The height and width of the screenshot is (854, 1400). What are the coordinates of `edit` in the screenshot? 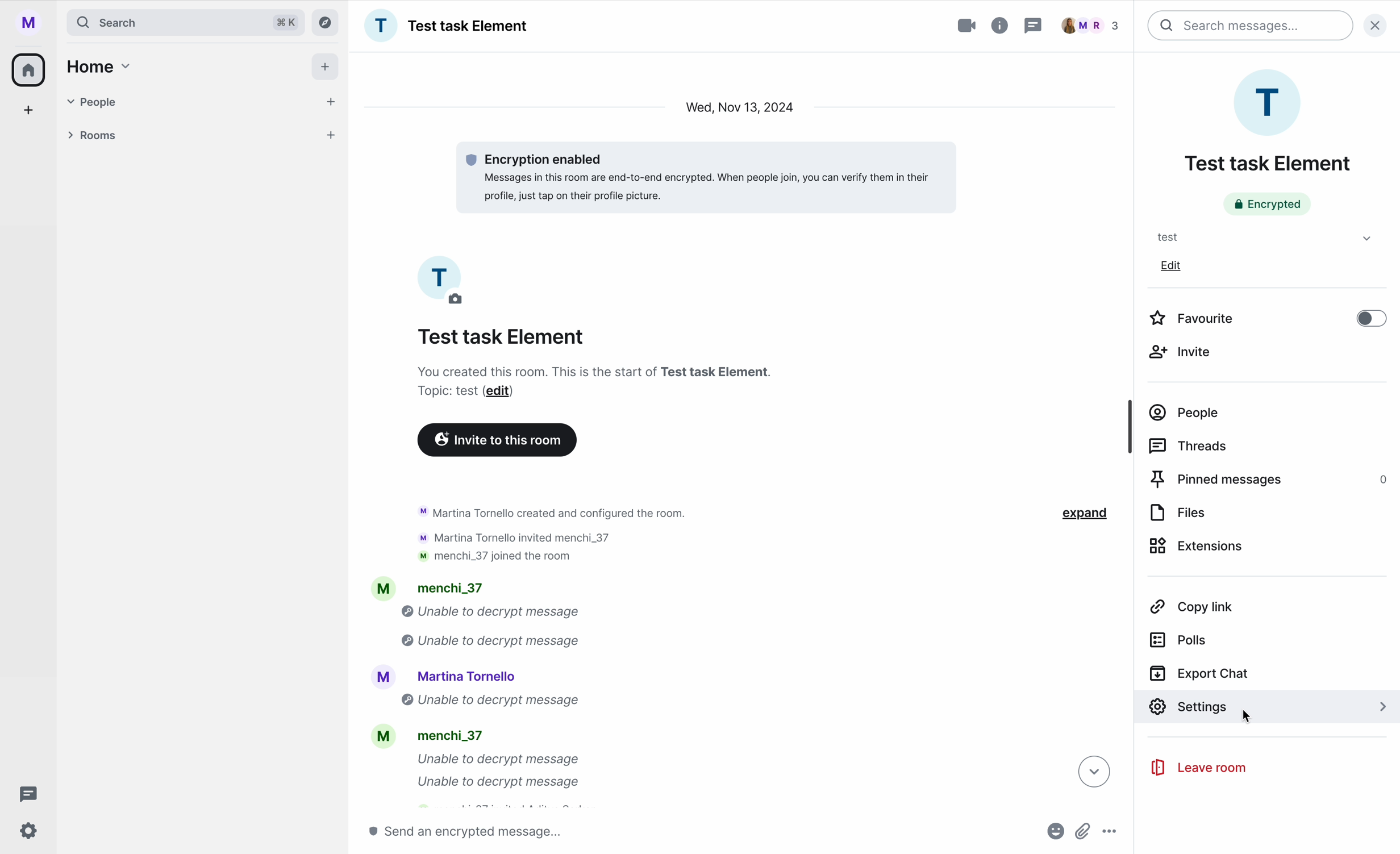 It's located at (1172, 265).